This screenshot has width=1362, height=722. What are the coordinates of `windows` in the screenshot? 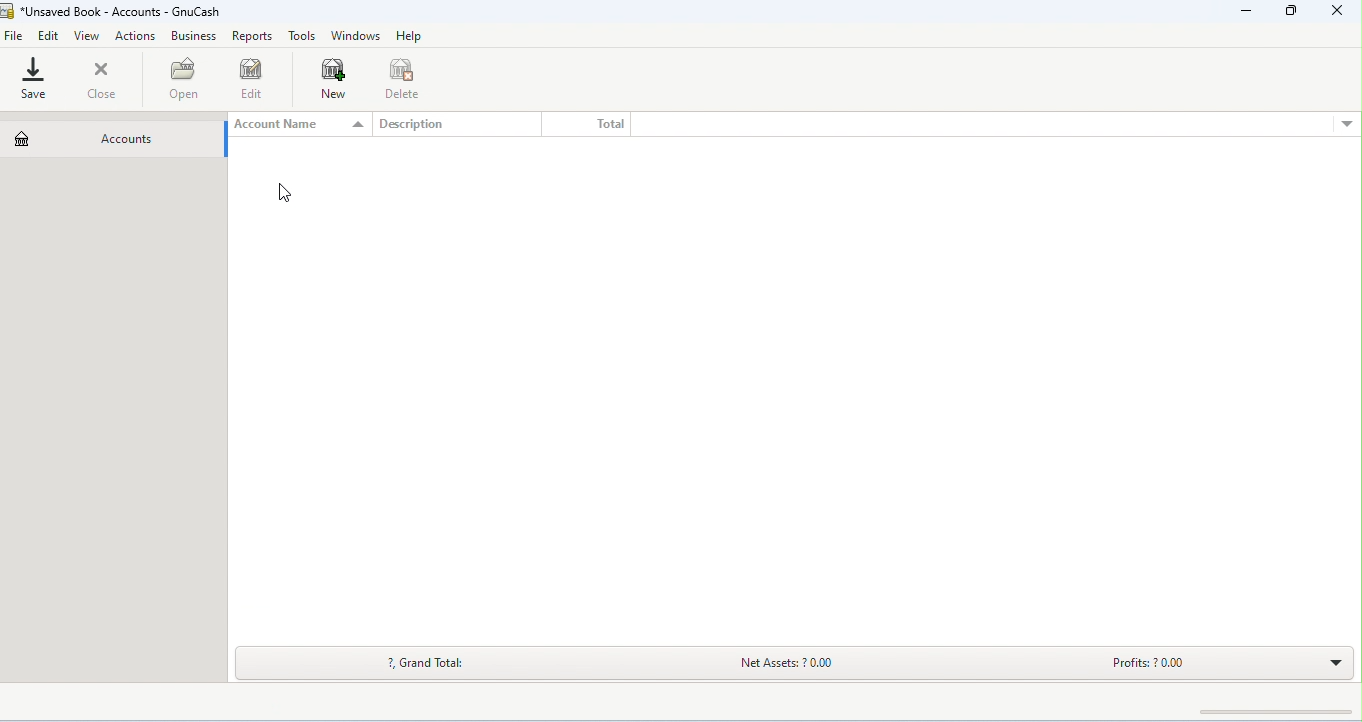 It's located at (357, 36).